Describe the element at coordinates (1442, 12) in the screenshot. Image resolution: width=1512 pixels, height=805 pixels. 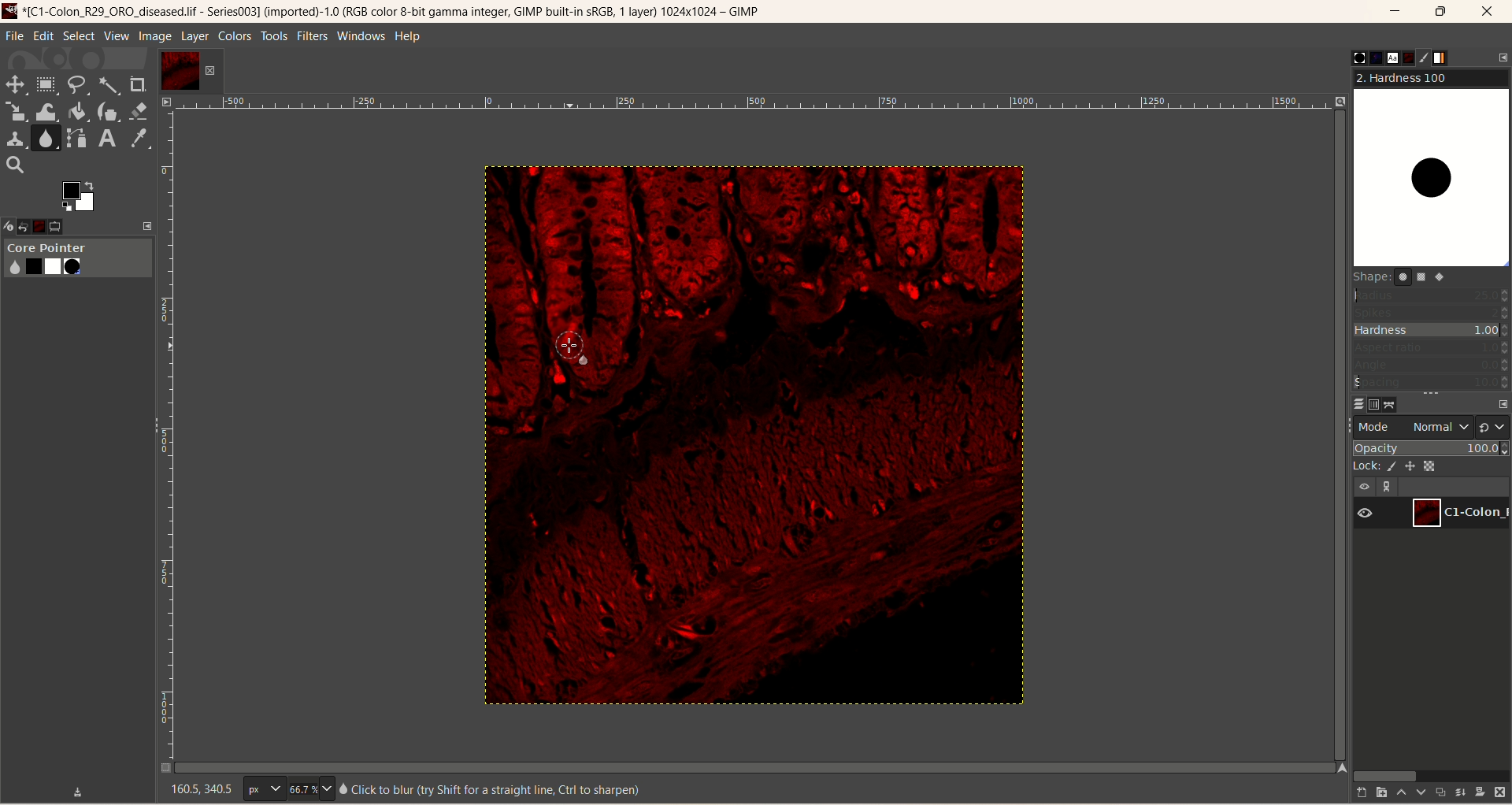
I see `maximize` at that location.